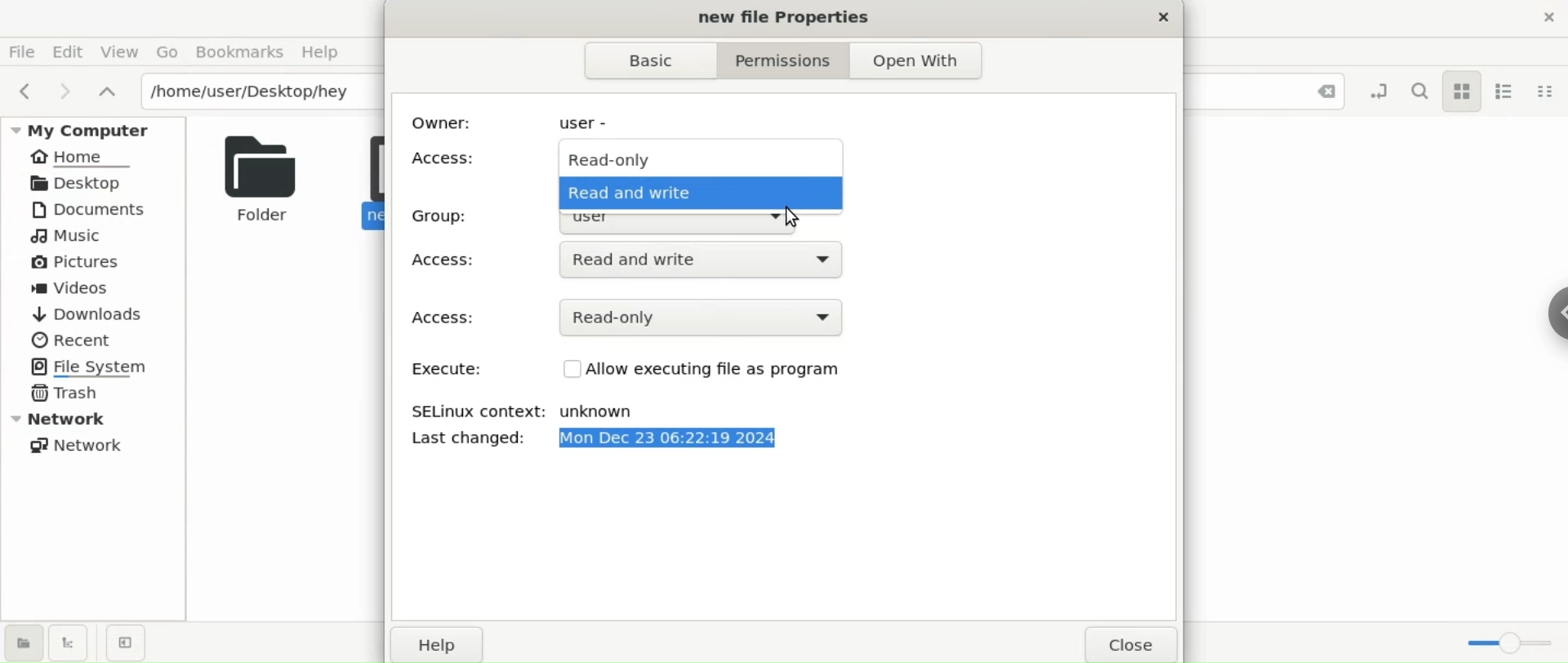 The width and height of the screenshot is (1568, 663). I want to click on Home, so click(83, 158).